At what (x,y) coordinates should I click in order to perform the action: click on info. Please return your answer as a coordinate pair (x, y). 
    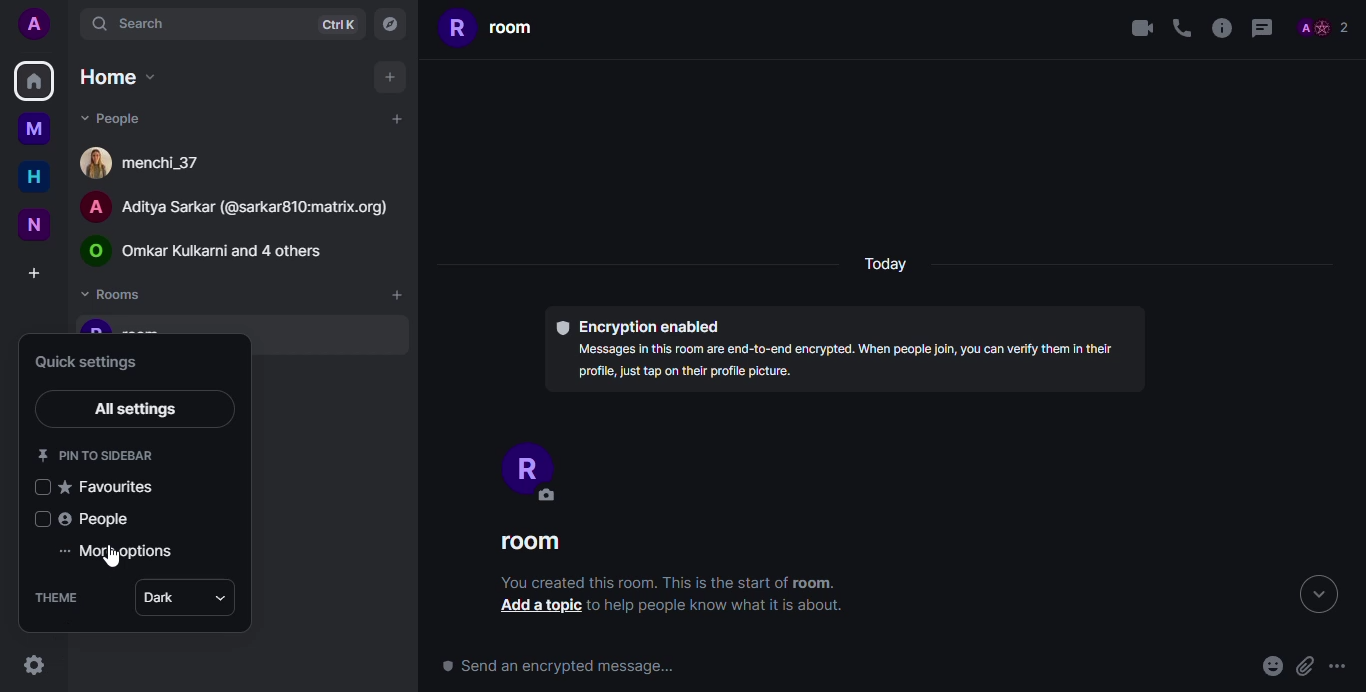
    Looking at the image, I should click on (725, 607).